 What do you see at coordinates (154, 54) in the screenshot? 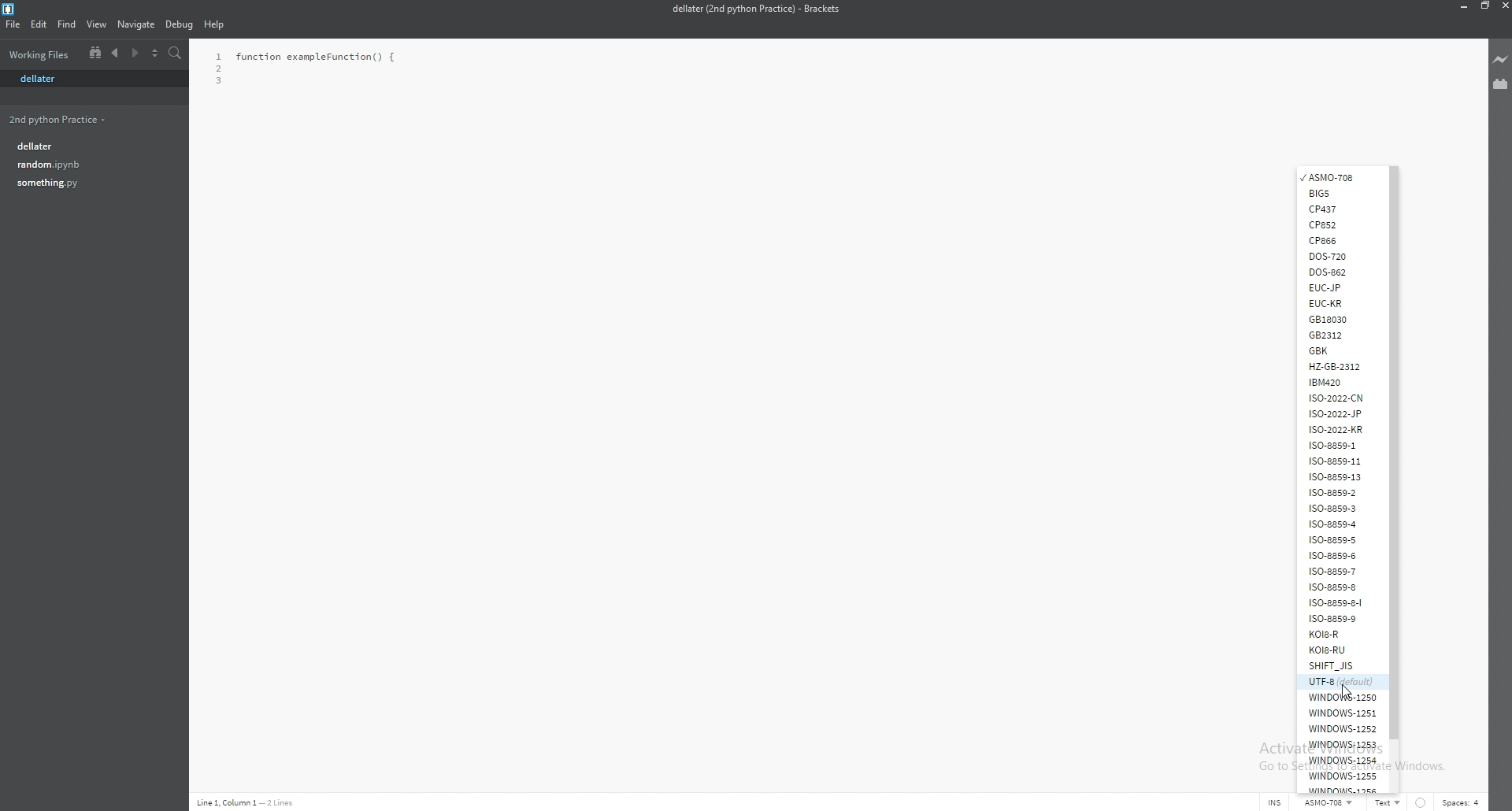
I see `select` at bounding box center [154, 54].